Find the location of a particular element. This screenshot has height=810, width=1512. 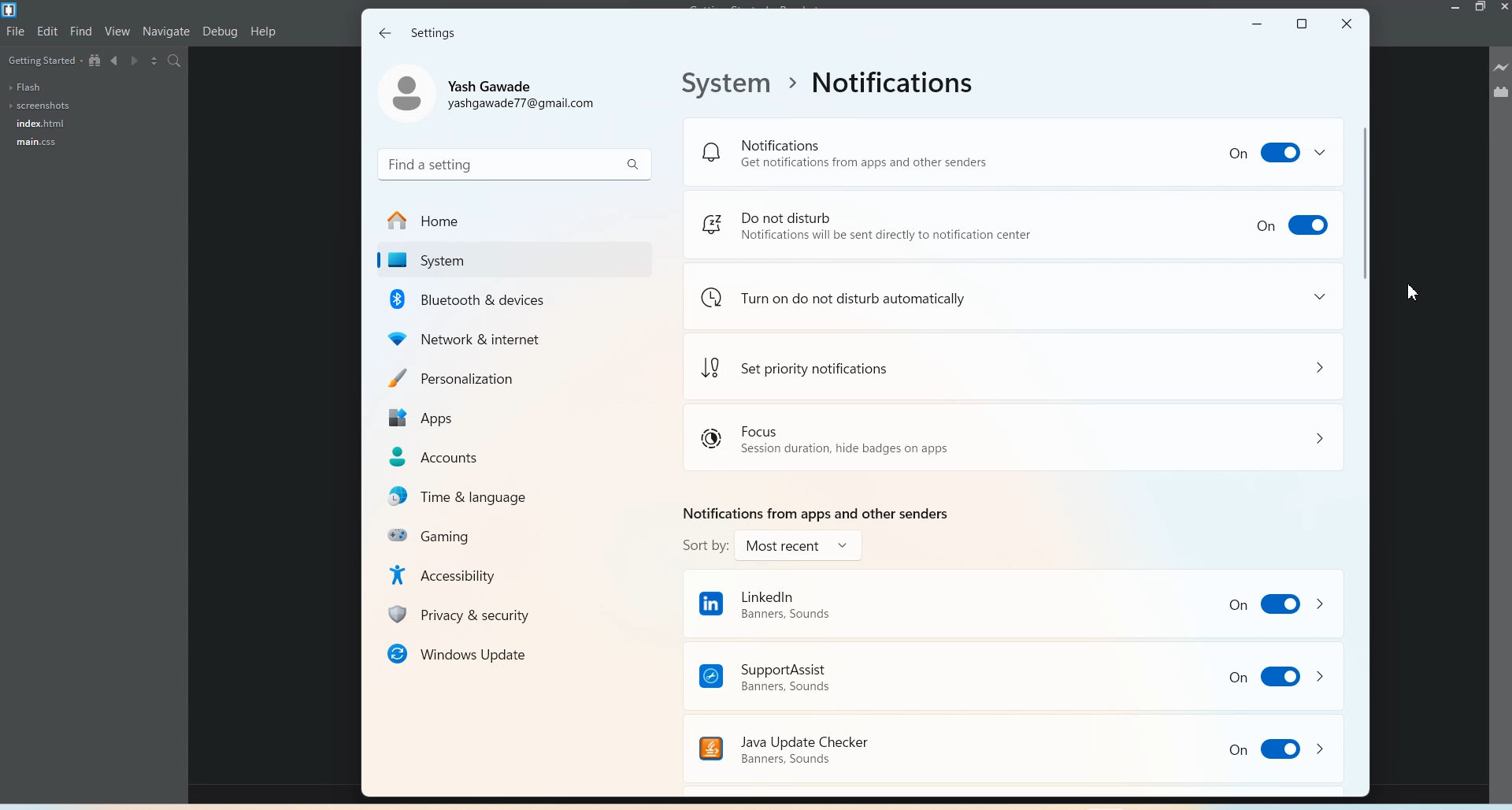

set priority notification is located at coordinates (1015, 366).